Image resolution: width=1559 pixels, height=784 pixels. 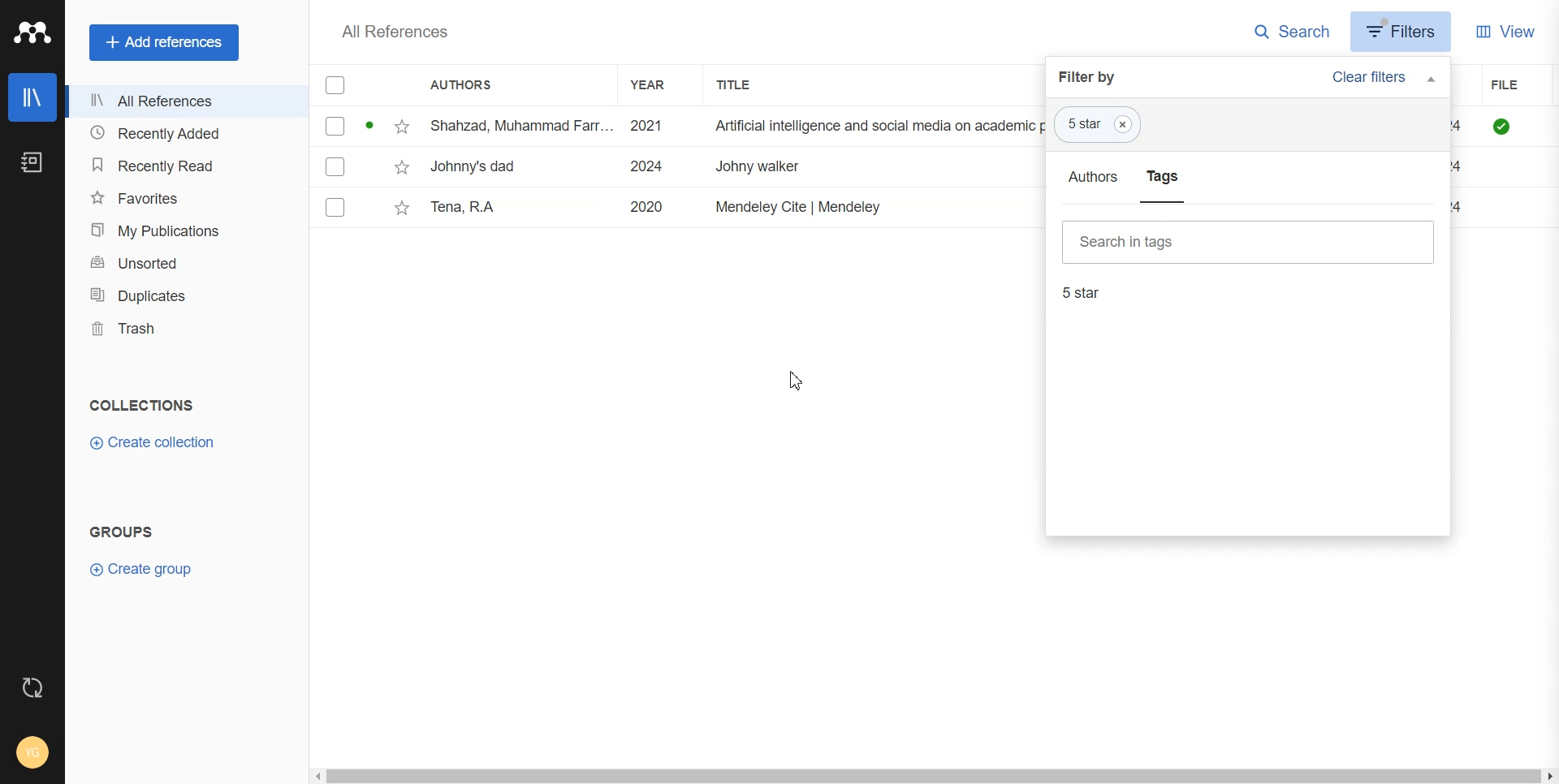 I want to click on View, so click(x=1506, y=32).